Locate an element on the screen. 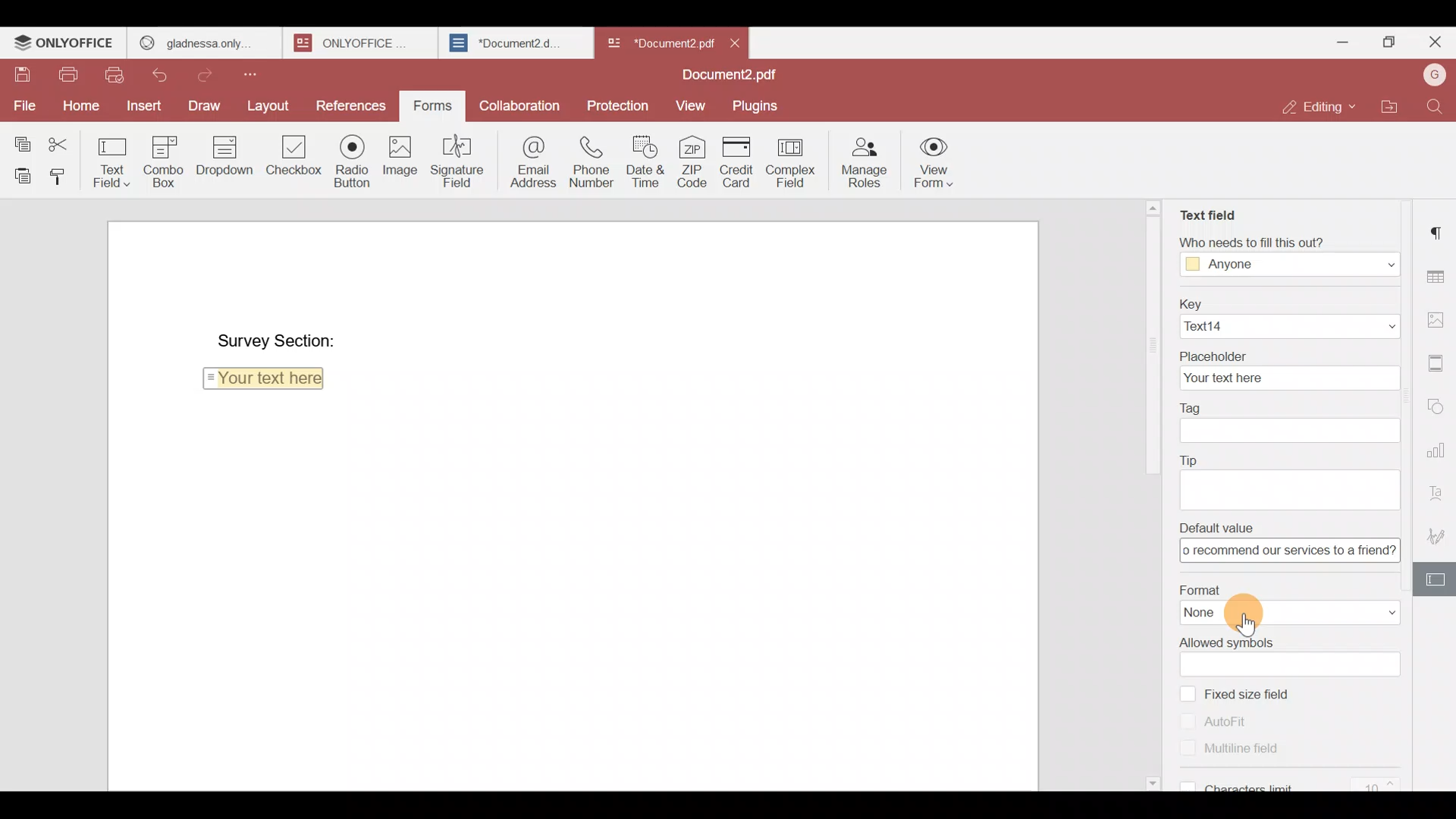 This screenshot has height=819, width=1456. None is located at coordinates (1291, 613).